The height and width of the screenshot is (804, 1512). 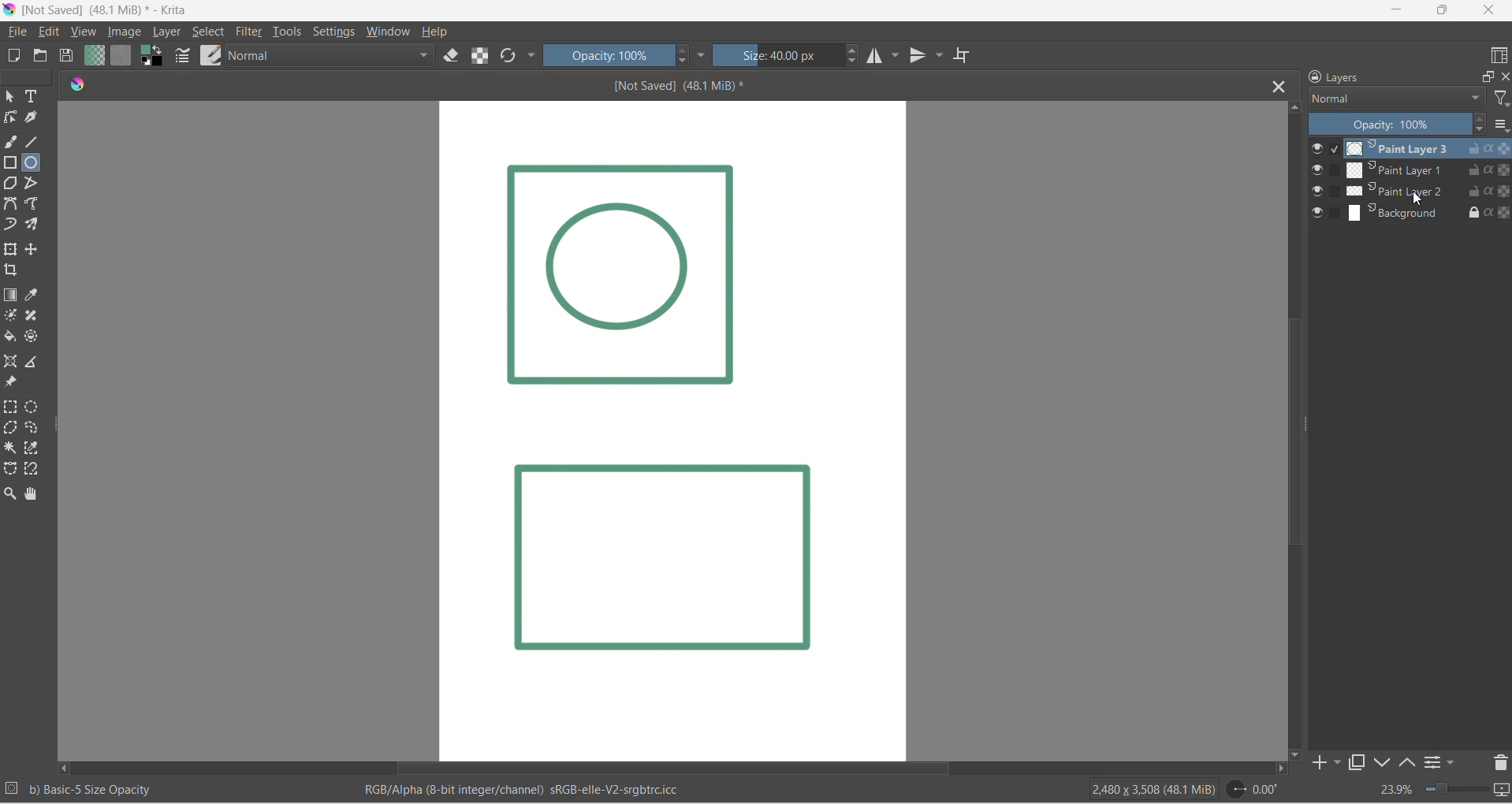 I want to click on blending mode, so click(x=329, y=57).